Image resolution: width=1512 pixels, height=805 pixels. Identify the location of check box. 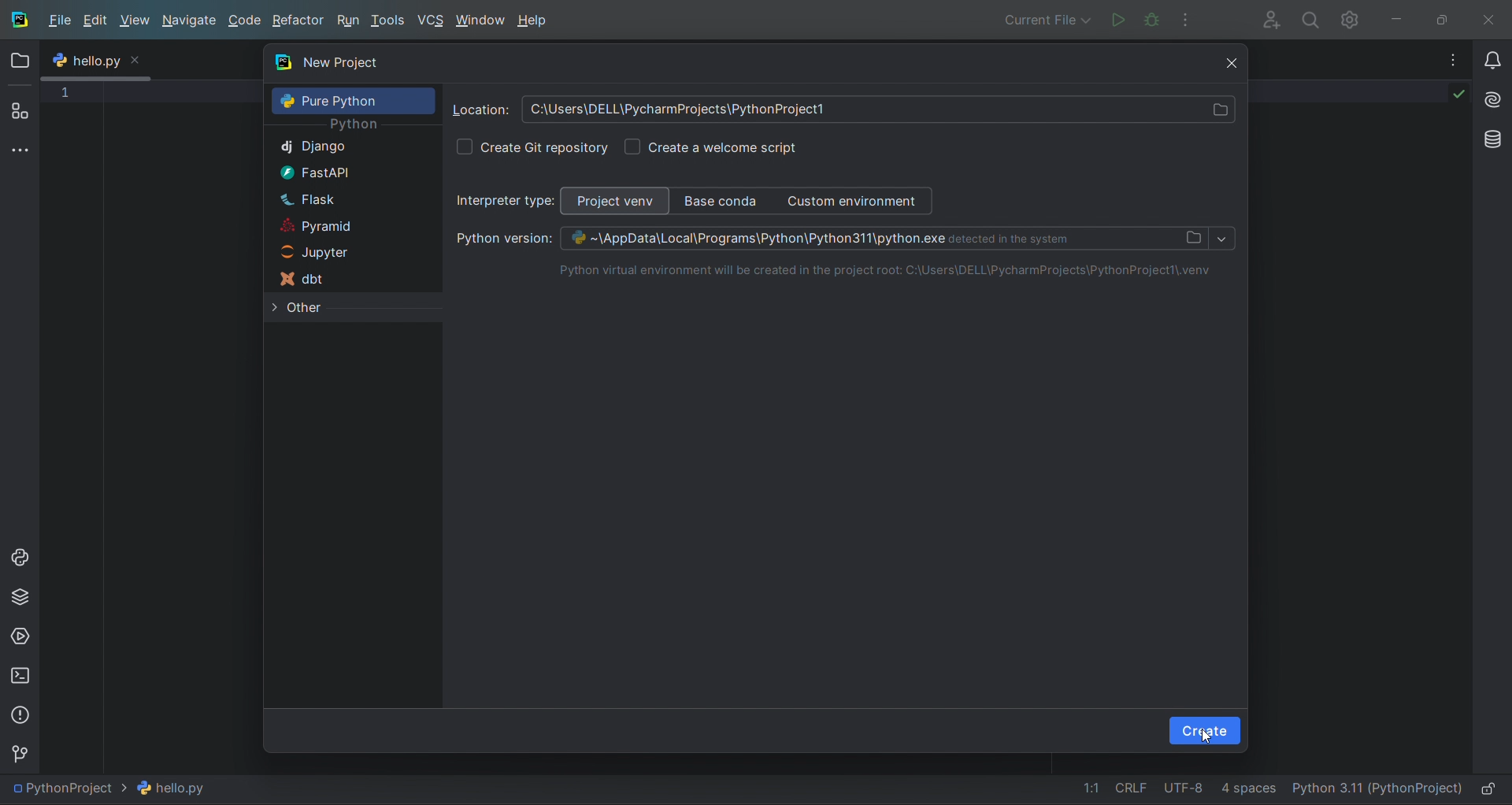
(464, 147).